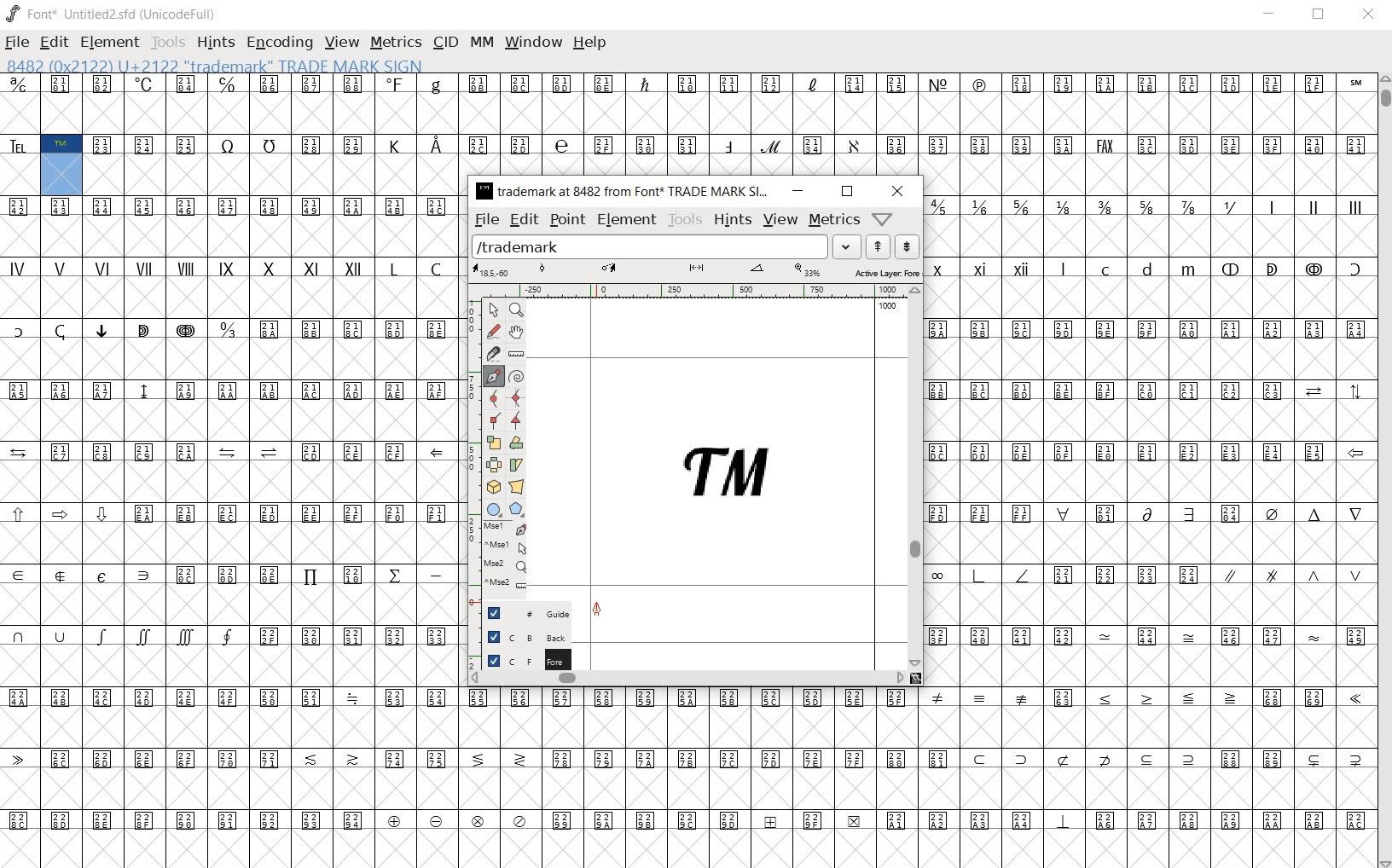 The image size is (1392, 868). I want to click on cut splines in two, so click(491, 353).